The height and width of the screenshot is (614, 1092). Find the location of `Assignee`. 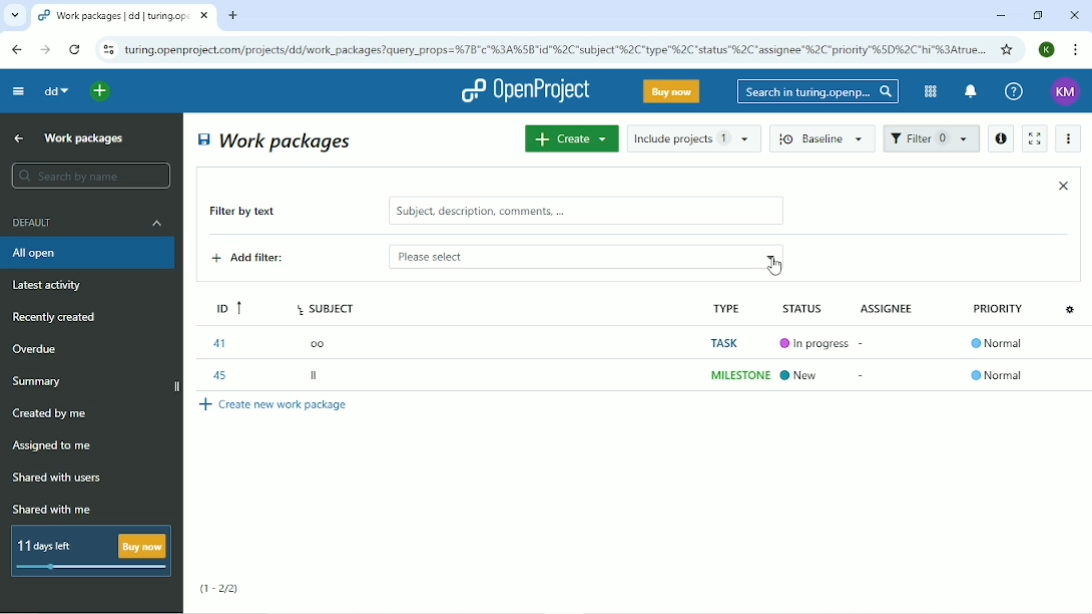

Assignee is located at coordinates (891, 307).